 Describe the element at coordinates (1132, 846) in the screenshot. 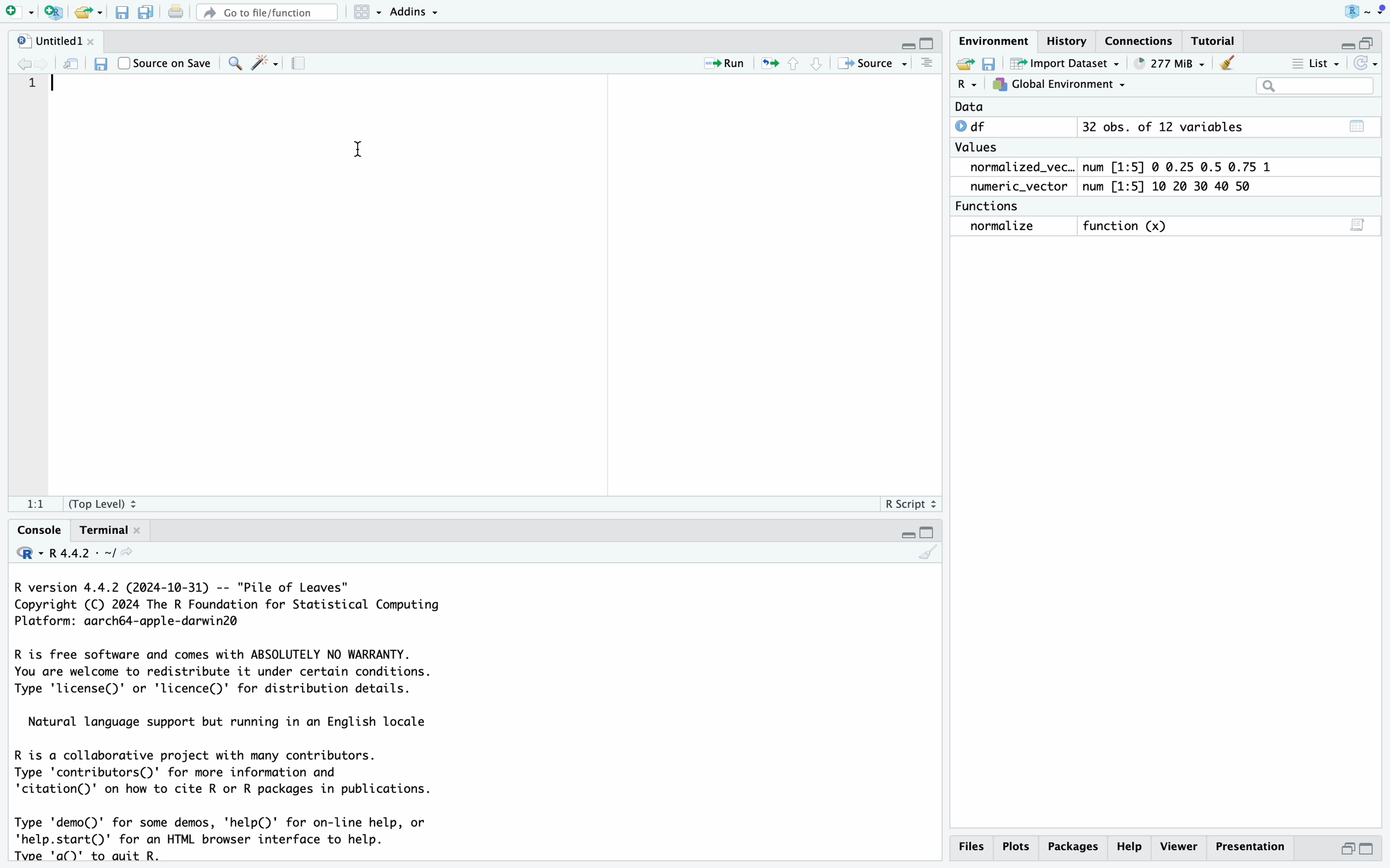

I see `help` at that location.